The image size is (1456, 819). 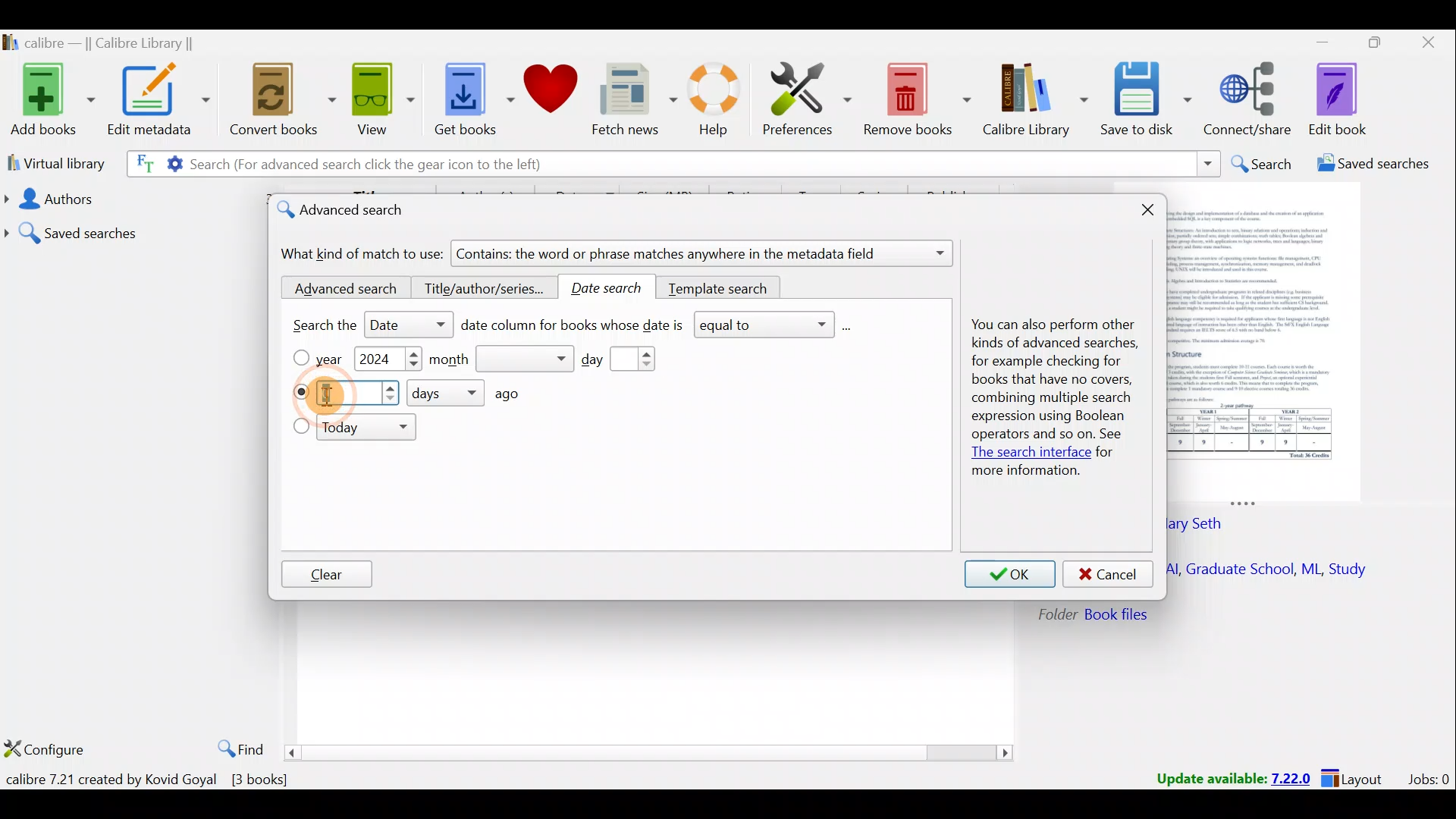 What do you see at coordinates (1028, 454) in the screenshot?
I see `The search interface` at bounding box center [1028, 454].